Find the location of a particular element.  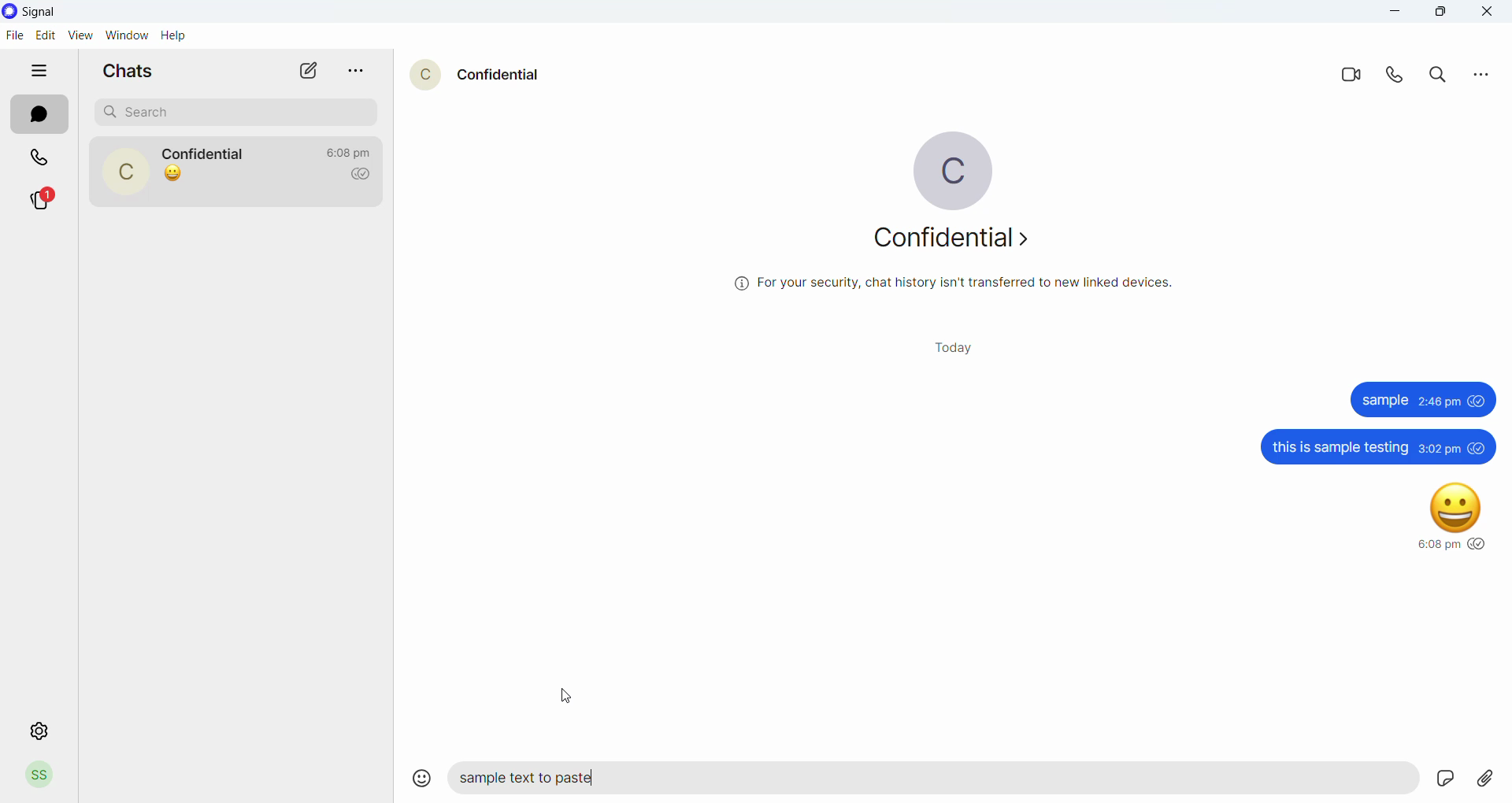

sample text to paste is located at coordinates (920, 783).